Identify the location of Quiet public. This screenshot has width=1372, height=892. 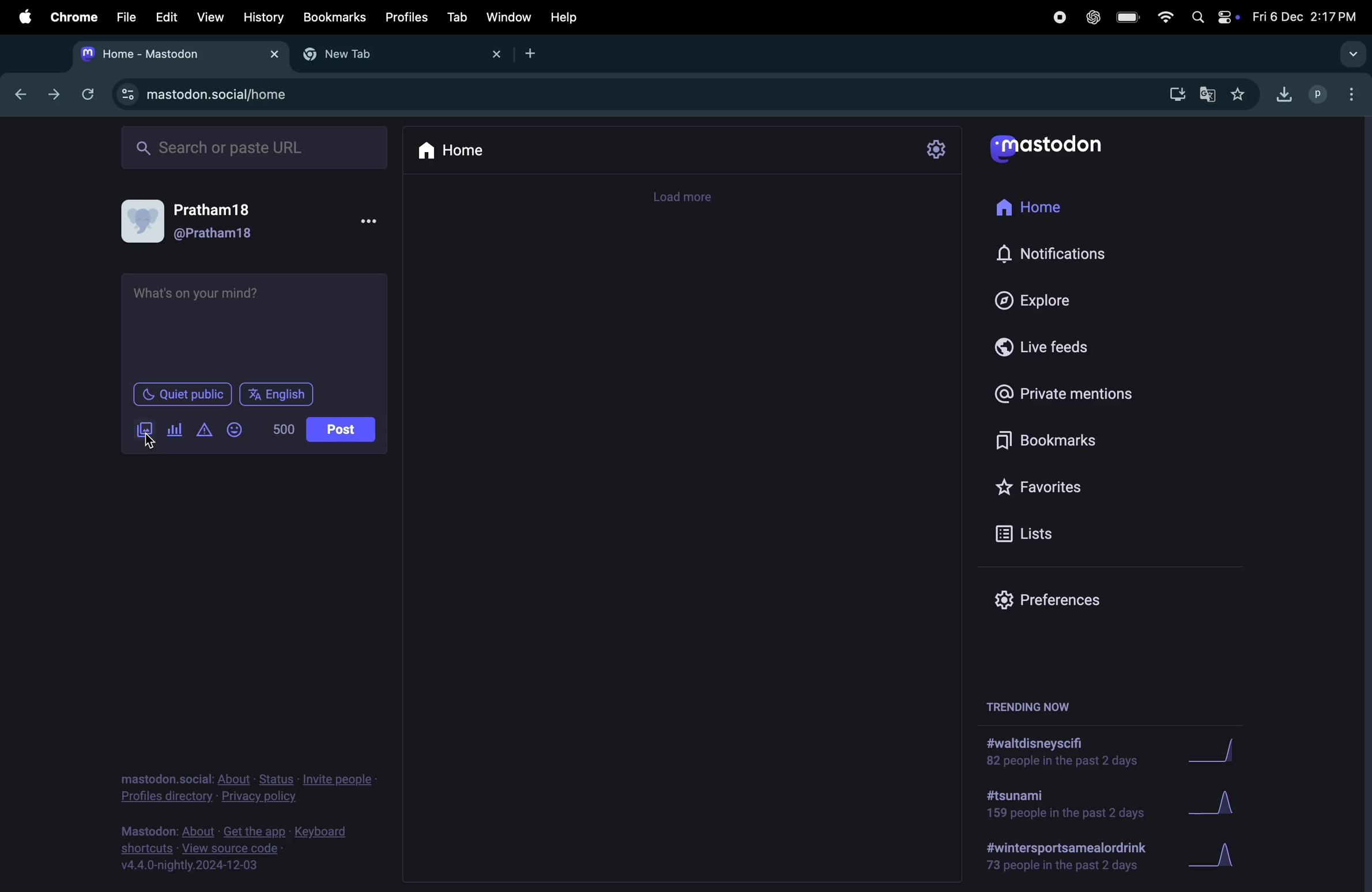
(181, 395).